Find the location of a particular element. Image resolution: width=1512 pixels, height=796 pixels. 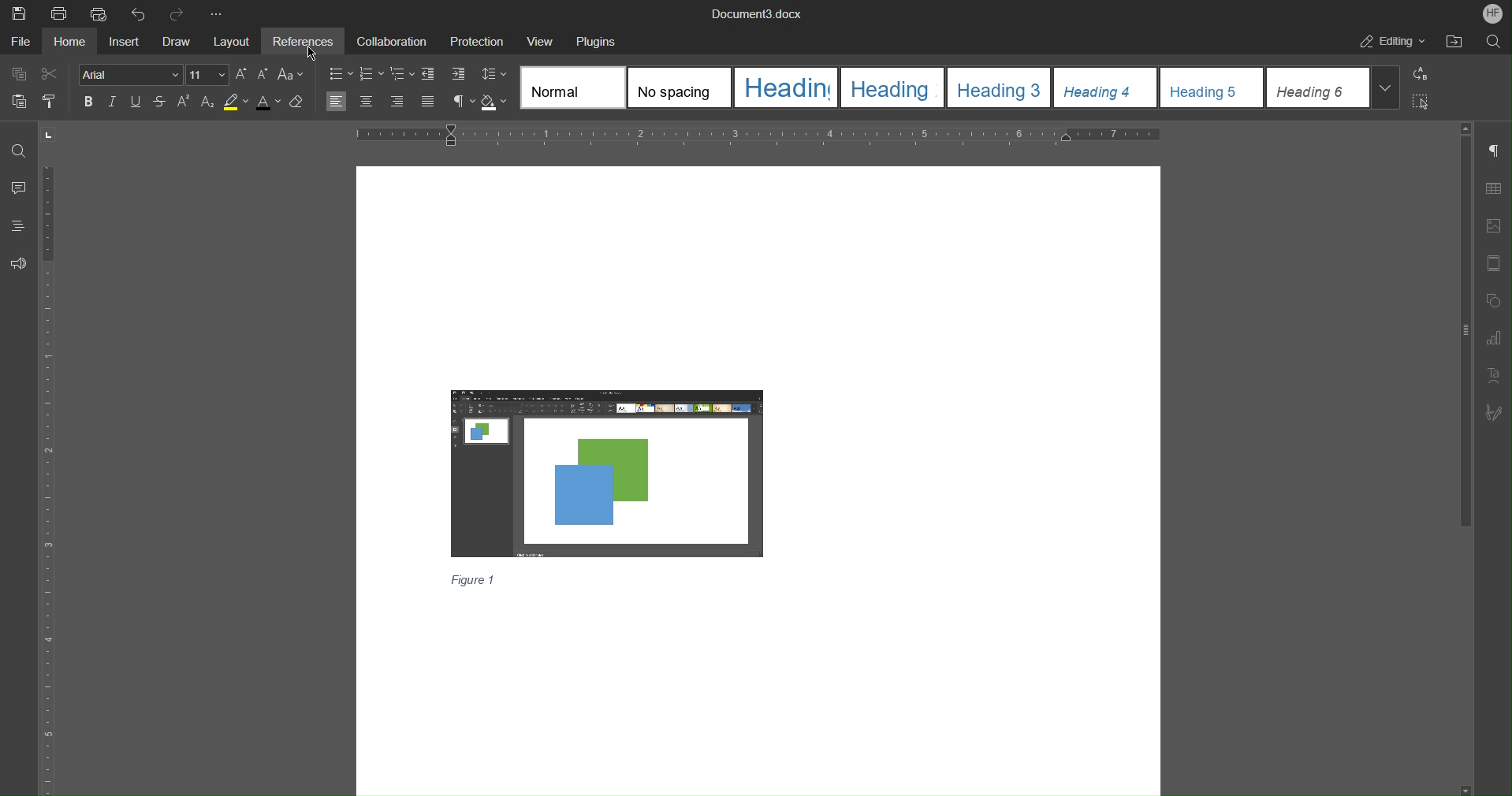

Image is located at coordinates (606, 476).